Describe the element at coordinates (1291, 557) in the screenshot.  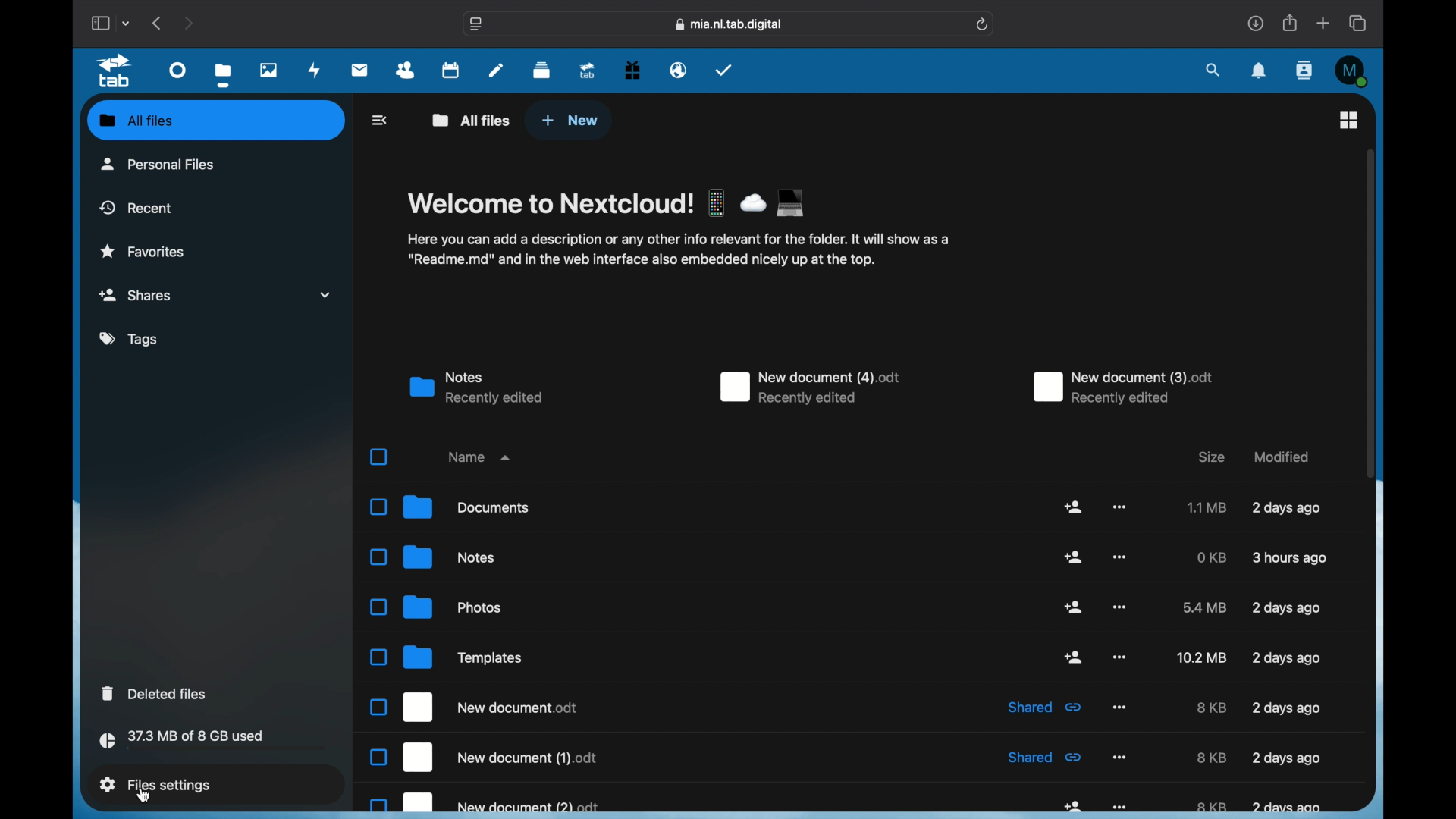
I see `modified` at that location.